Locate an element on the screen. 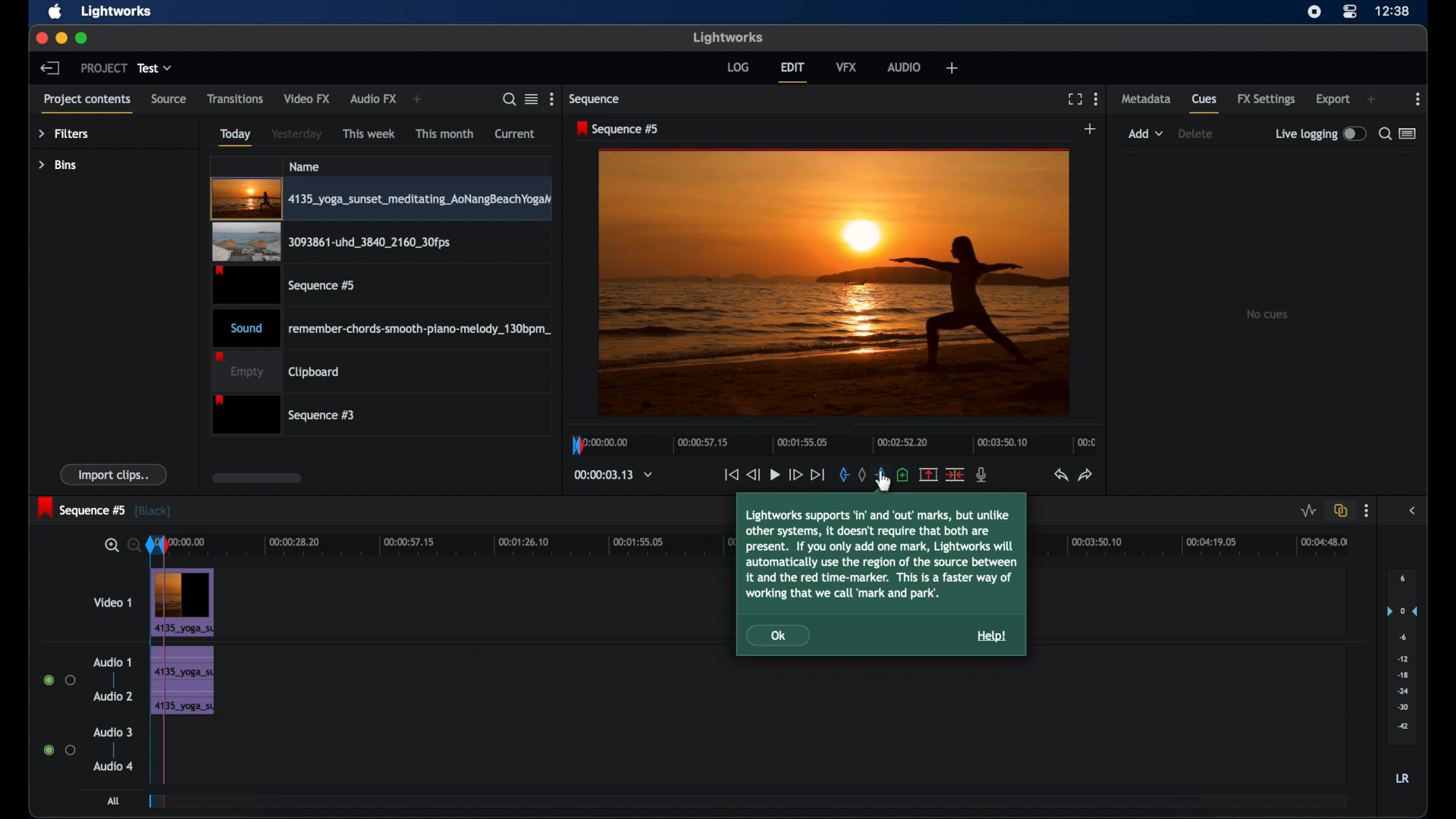 This screenshot has width=1456, height=819. toggle audio level editing is located at coordinates (1309, 511).